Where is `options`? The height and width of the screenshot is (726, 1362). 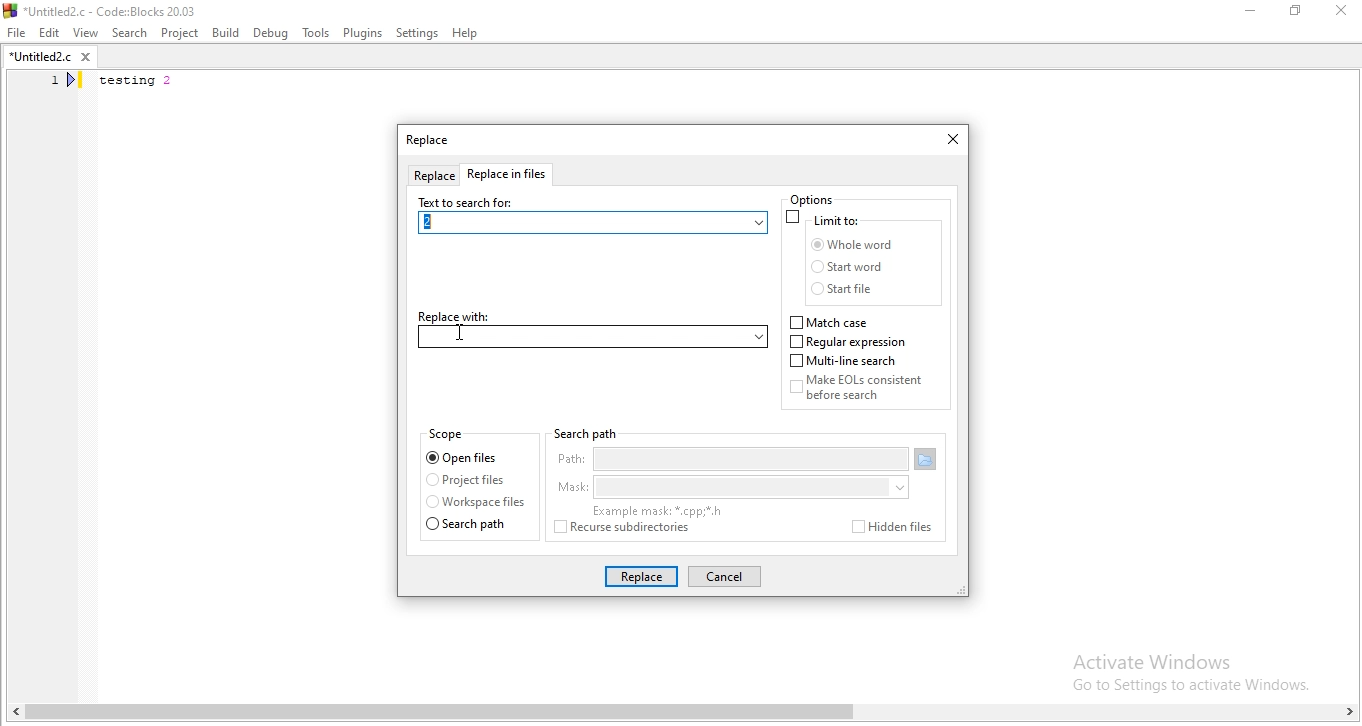 options is located at coordinates (824, 199).